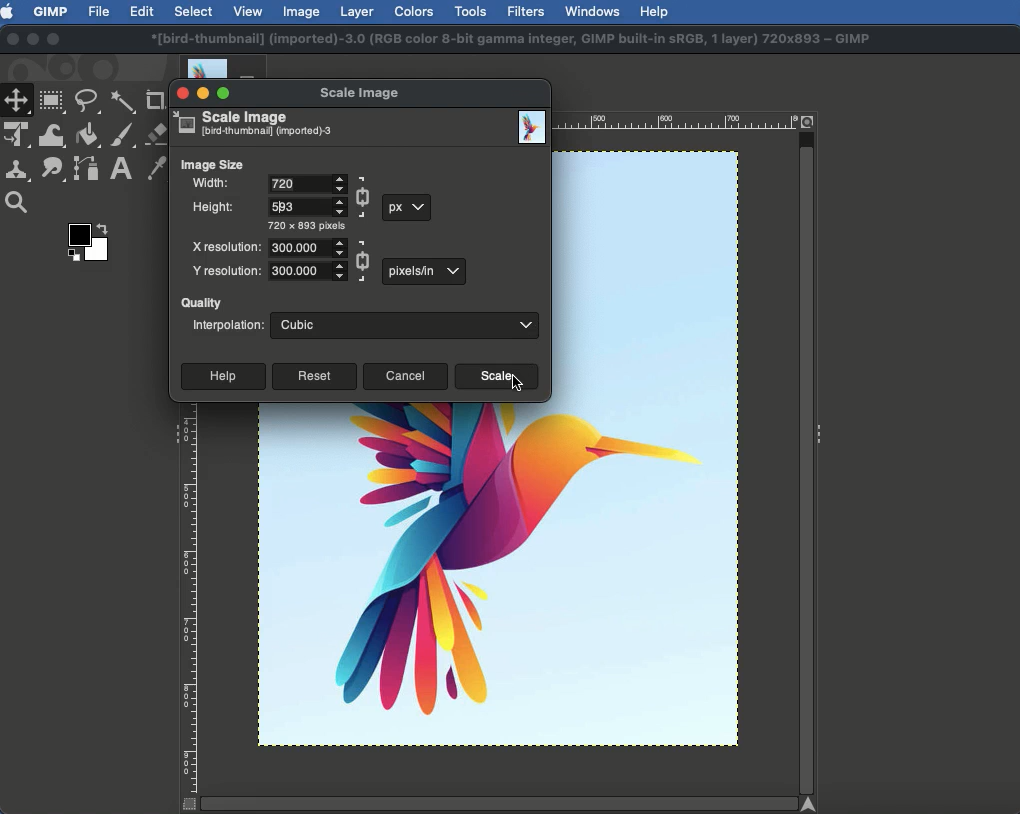 The image size is (1020, 814). What do you see at coordinates (200, 300) in the screenshot?
I see `Quality` at bounding box center [200, 300].